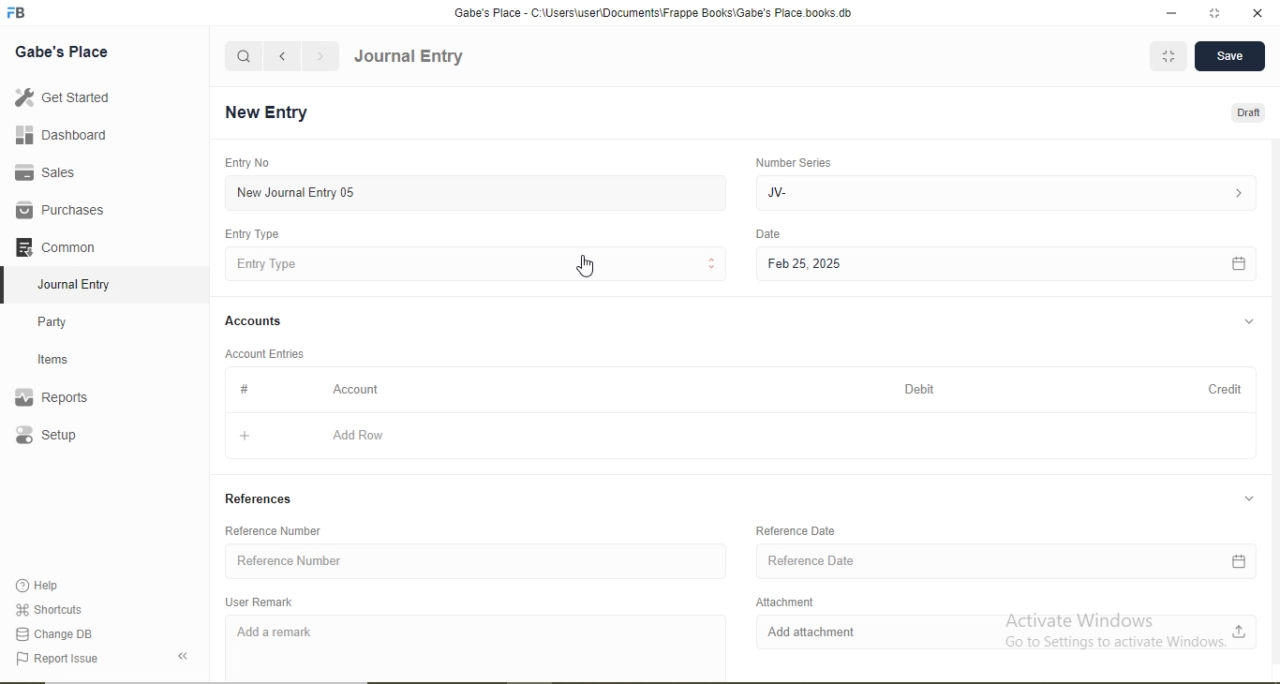  I want to click on Reports, so click(61, 398).